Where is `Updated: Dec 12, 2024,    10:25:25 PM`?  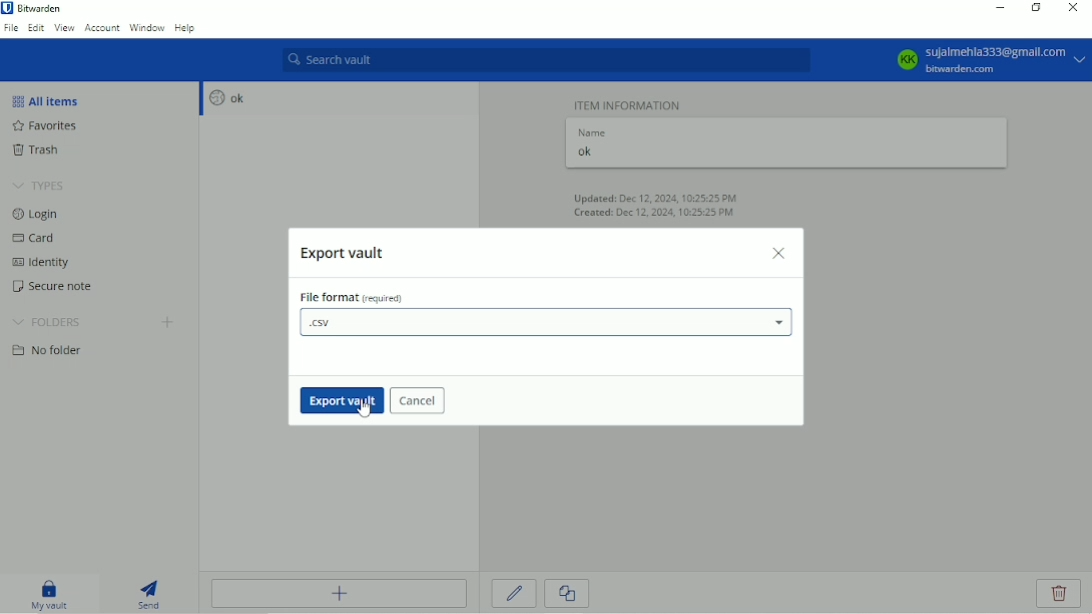
Updated: Dec 12, 2024,    10:25:25 PM is located at coordinates (659, 197).